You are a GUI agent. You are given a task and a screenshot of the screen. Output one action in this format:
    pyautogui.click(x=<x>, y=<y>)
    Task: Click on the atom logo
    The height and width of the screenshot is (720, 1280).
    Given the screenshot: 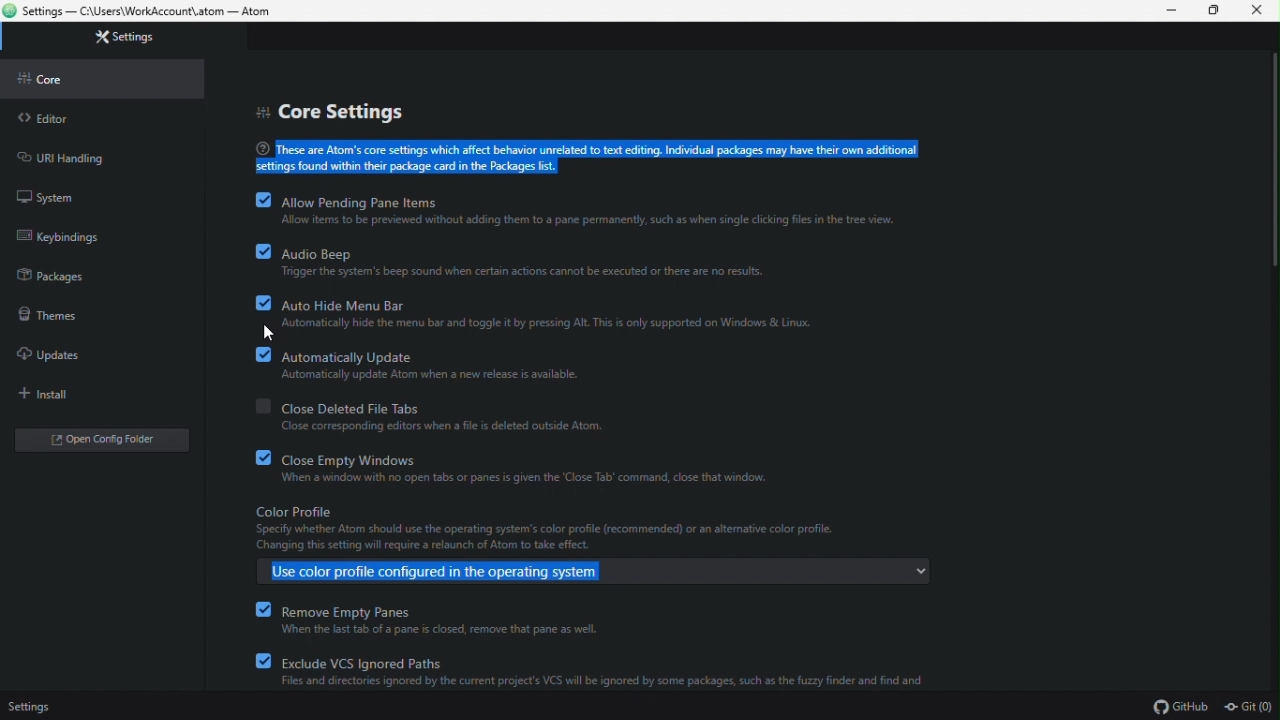 What is the action you would take?
    pyautogui.click(x=9, y=10)
    